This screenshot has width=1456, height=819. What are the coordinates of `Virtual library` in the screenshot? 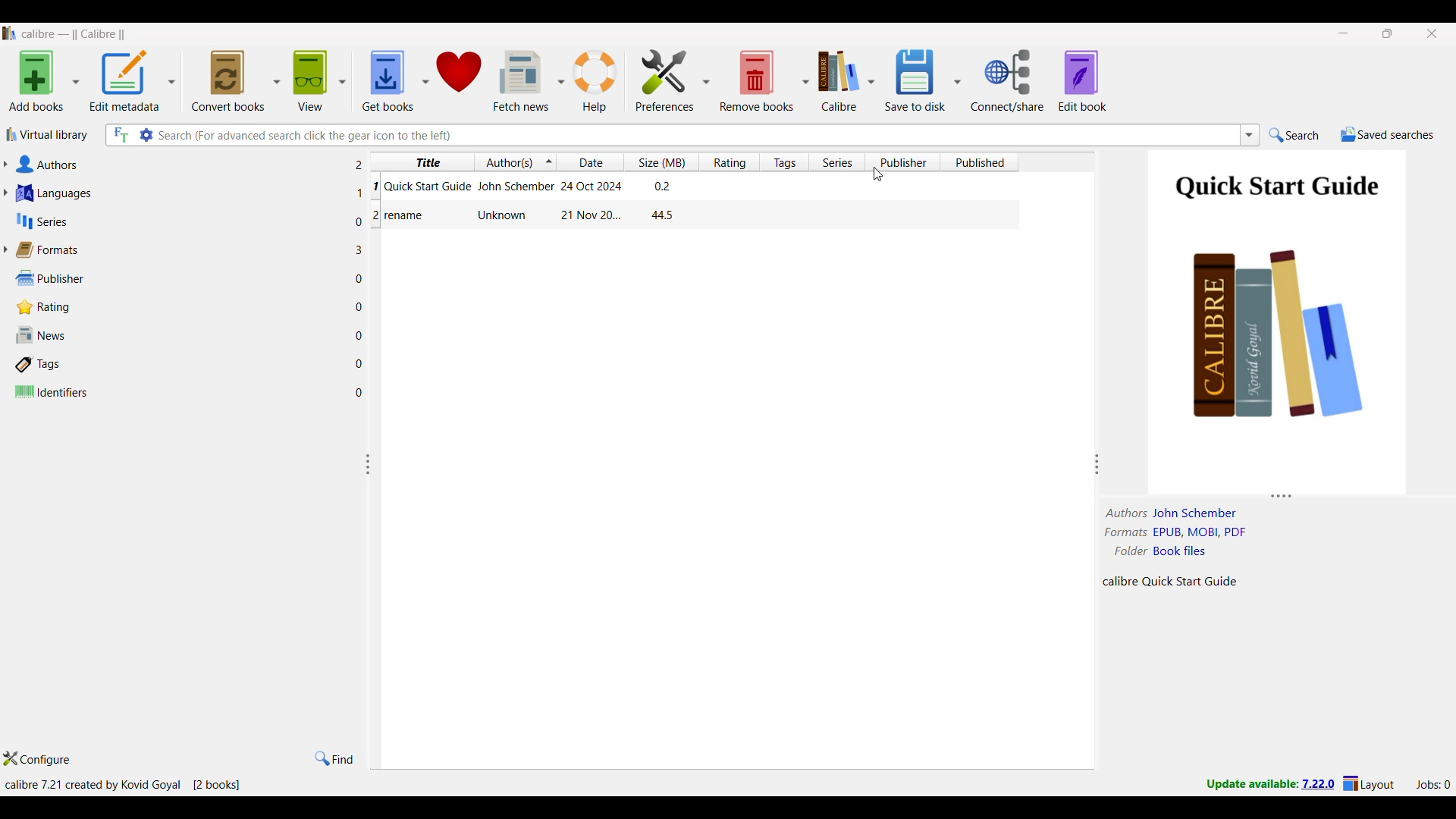 It's located at (48, 134).